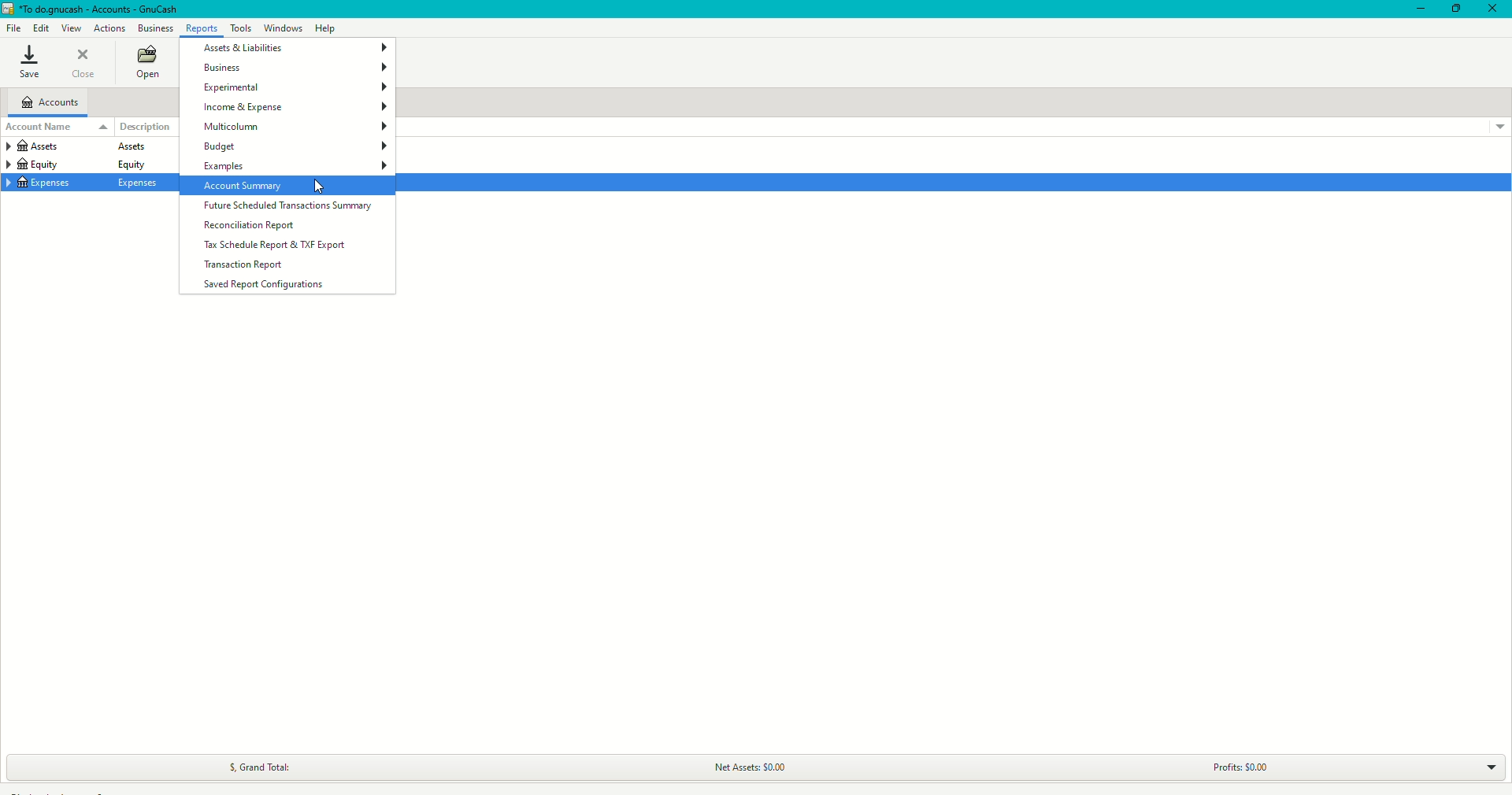  I want to click on Assets and Liabilities, so click(295, 48).